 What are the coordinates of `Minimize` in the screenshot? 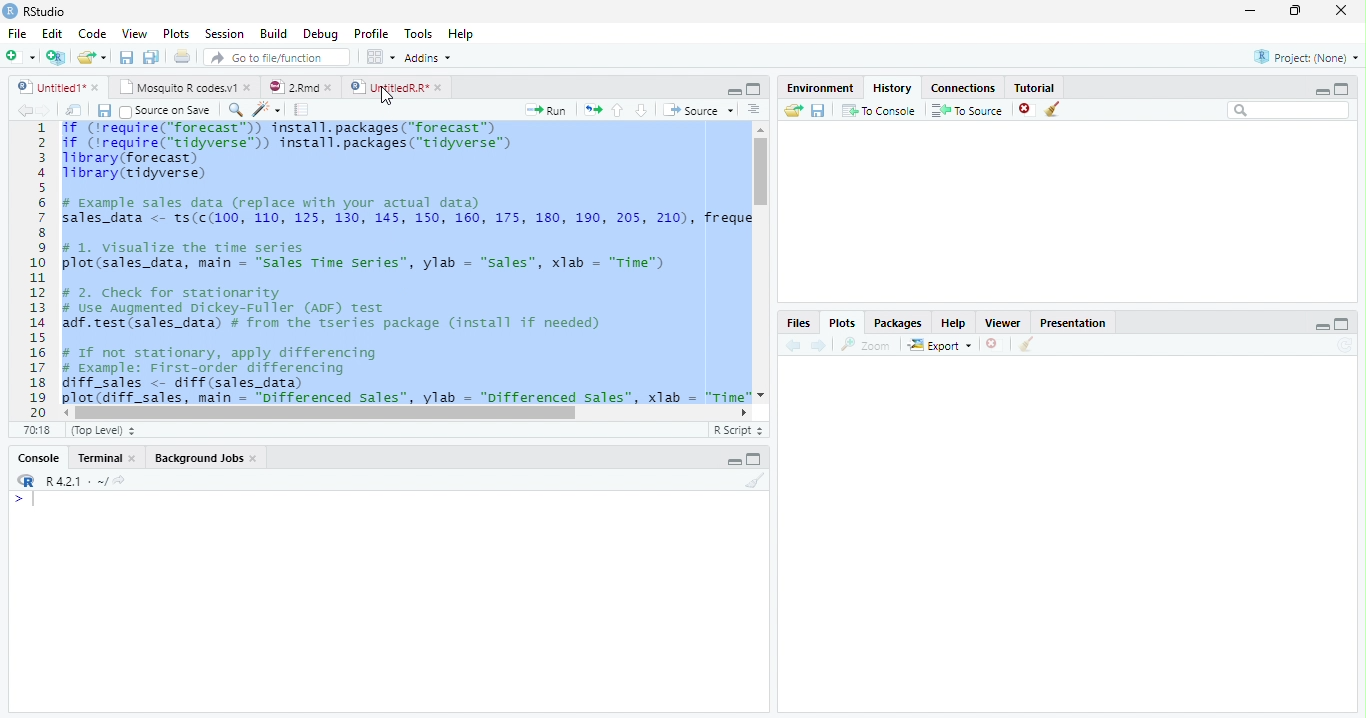 It's located at (734, 91).